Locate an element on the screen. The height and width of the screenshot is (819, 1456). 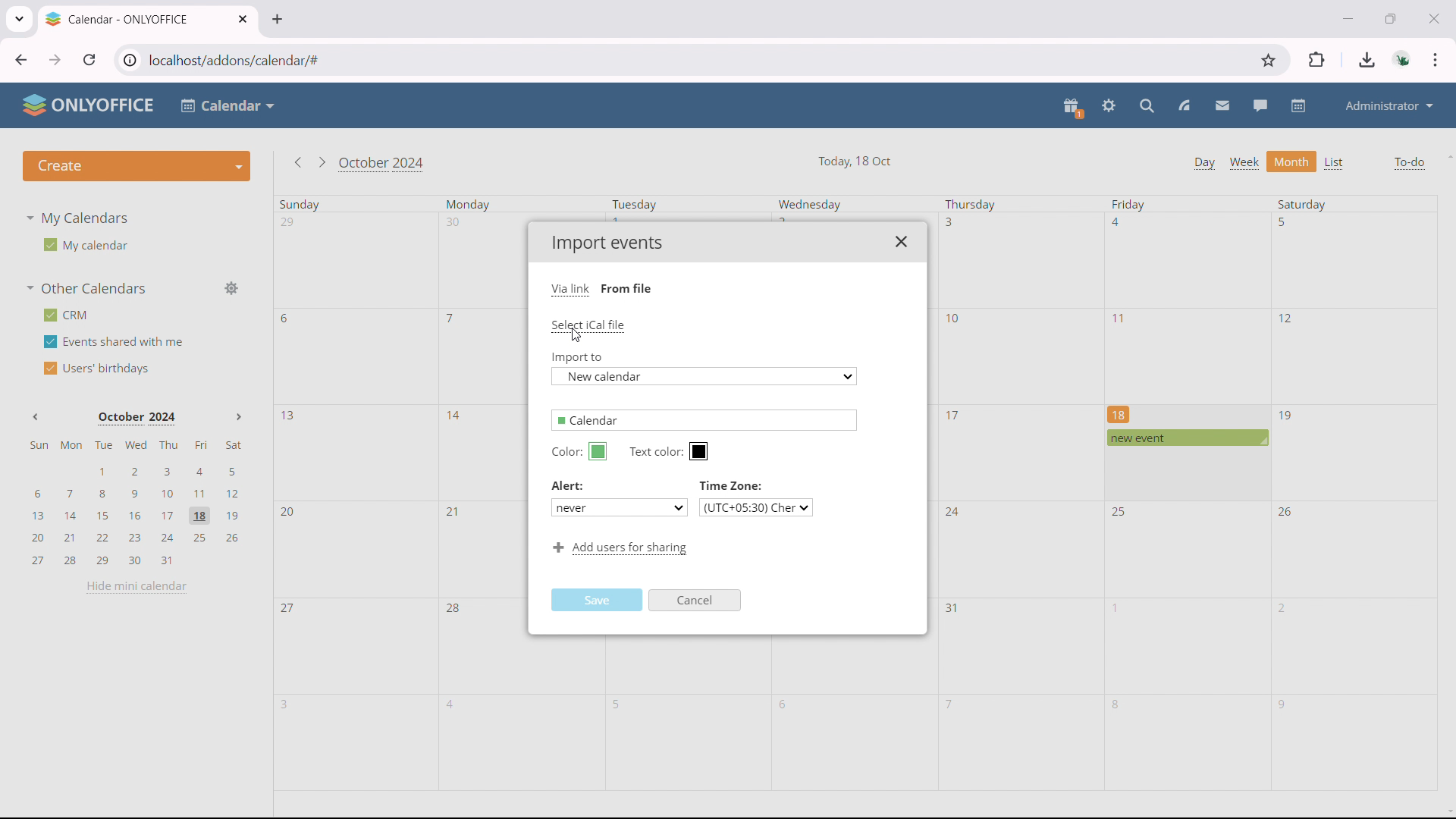
14 is located at coordinates (457, 416).